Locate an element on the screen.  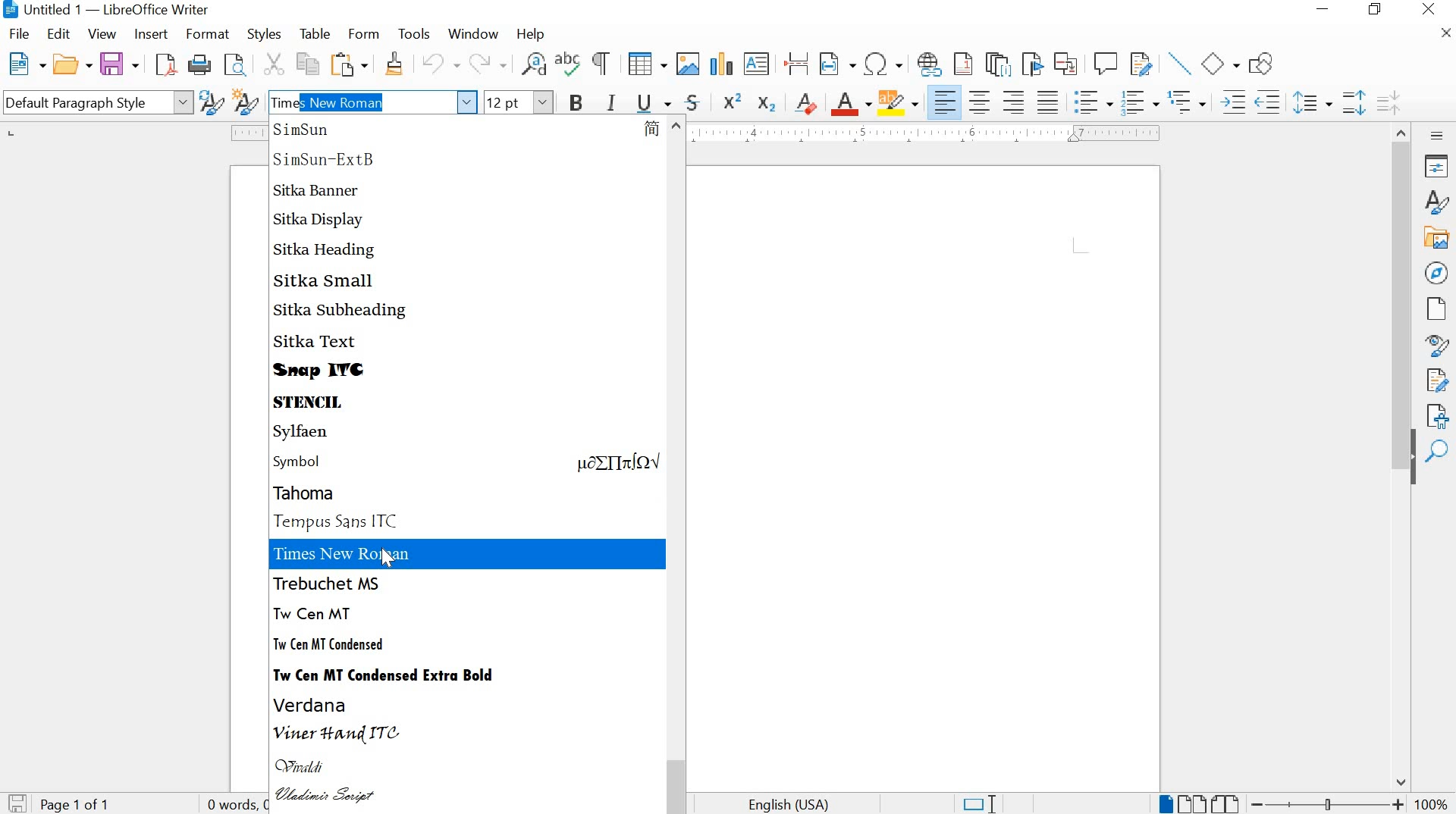
INSERT IMAGE is located at coordinates (686, 64).